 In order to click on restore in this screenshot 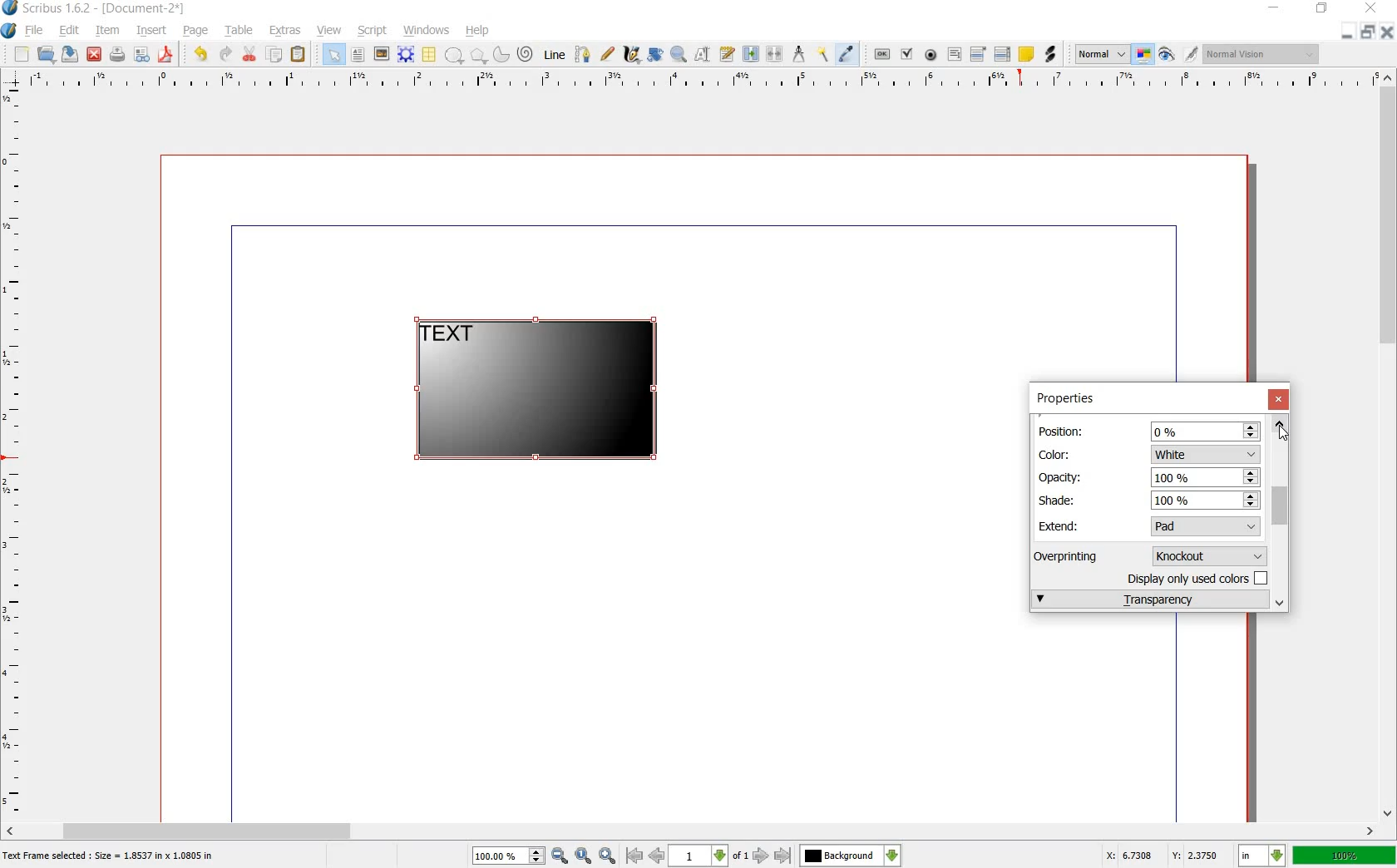, I will do `click(1322, 11)`.